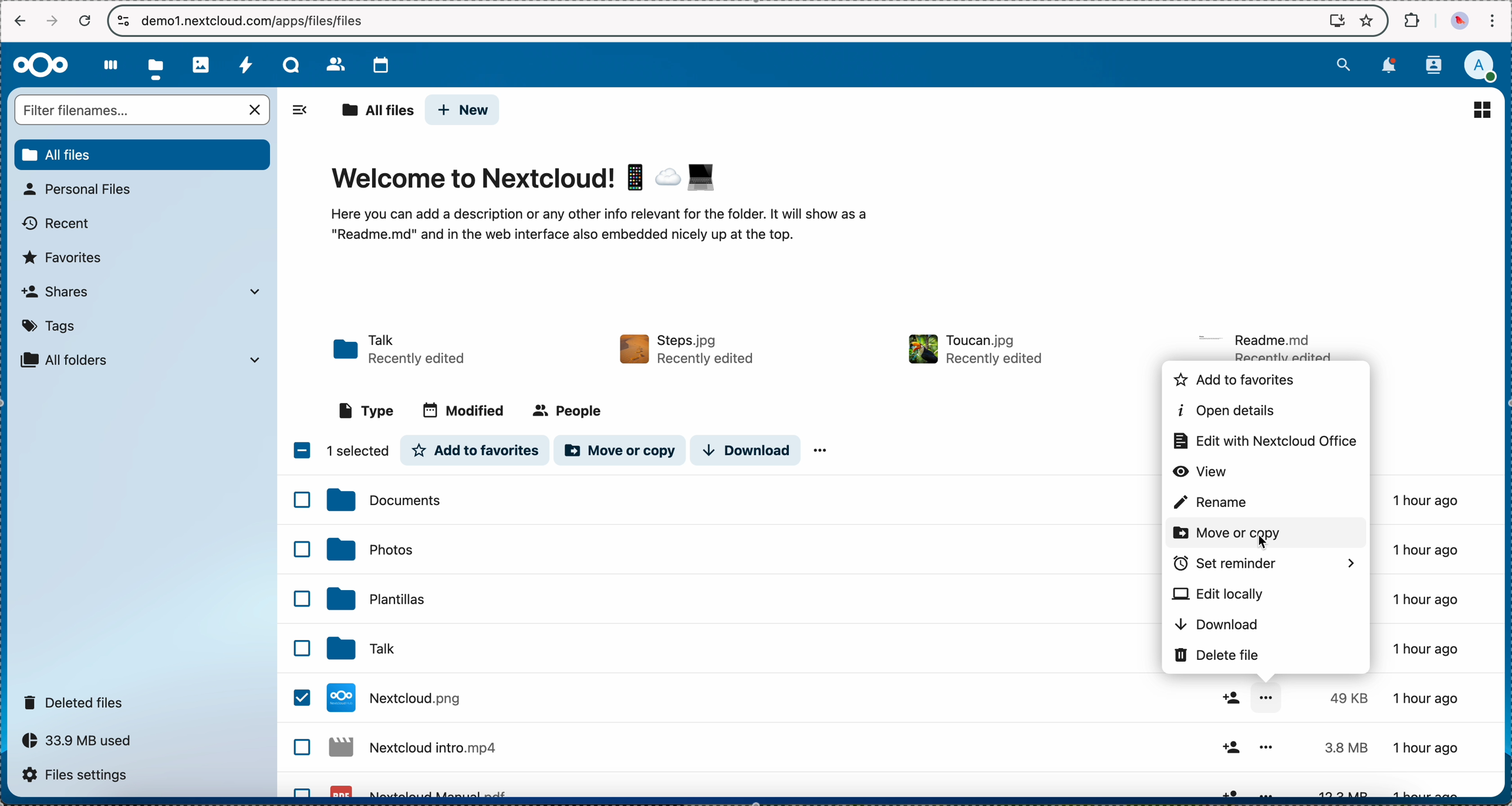 This screenshot has width=1512, height=806. I want to click on search bar, so click(144, 110).